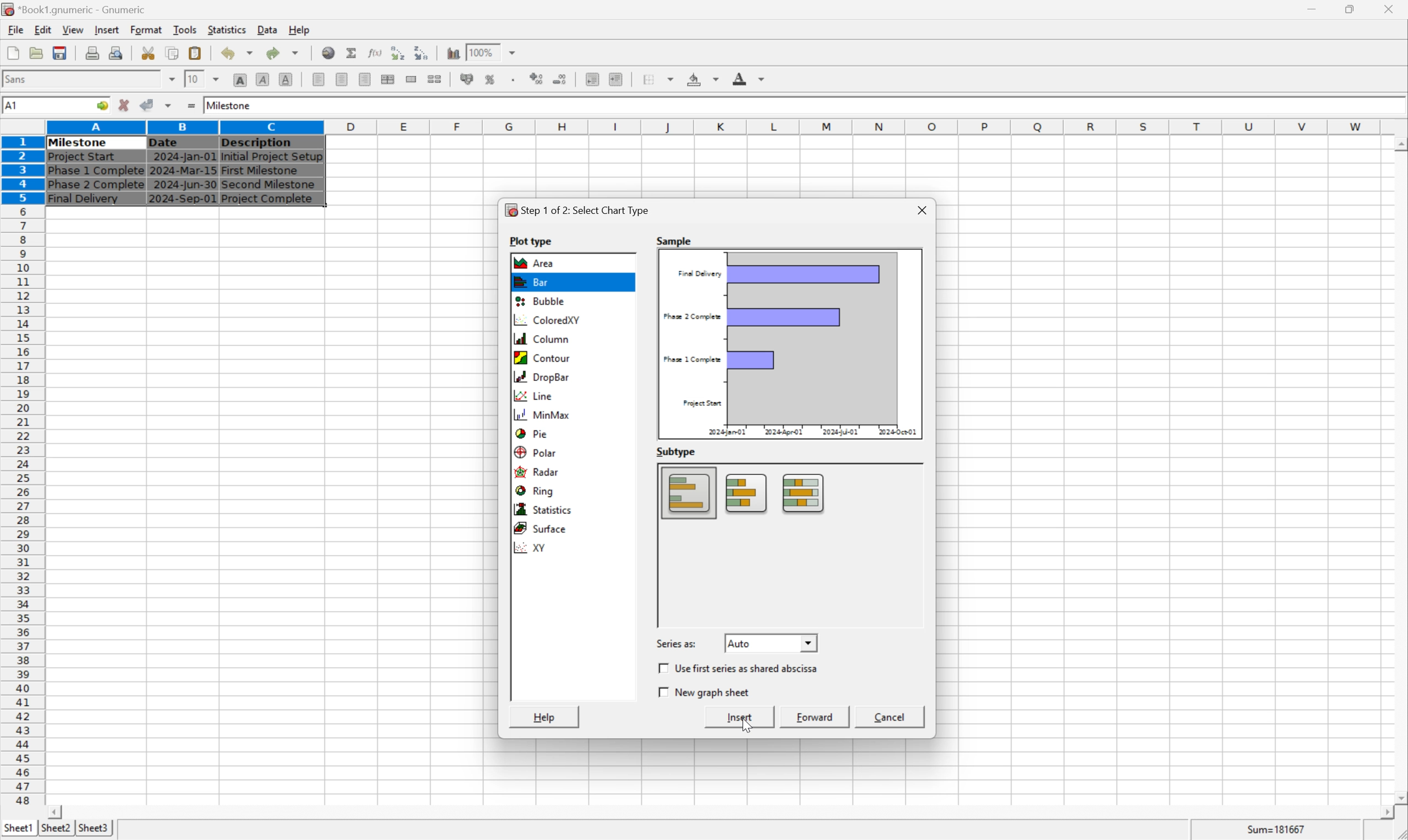  What do you see at coordinates (677, 642) in the screenshot?
I see `series as:` at bounding box center [677, 642].